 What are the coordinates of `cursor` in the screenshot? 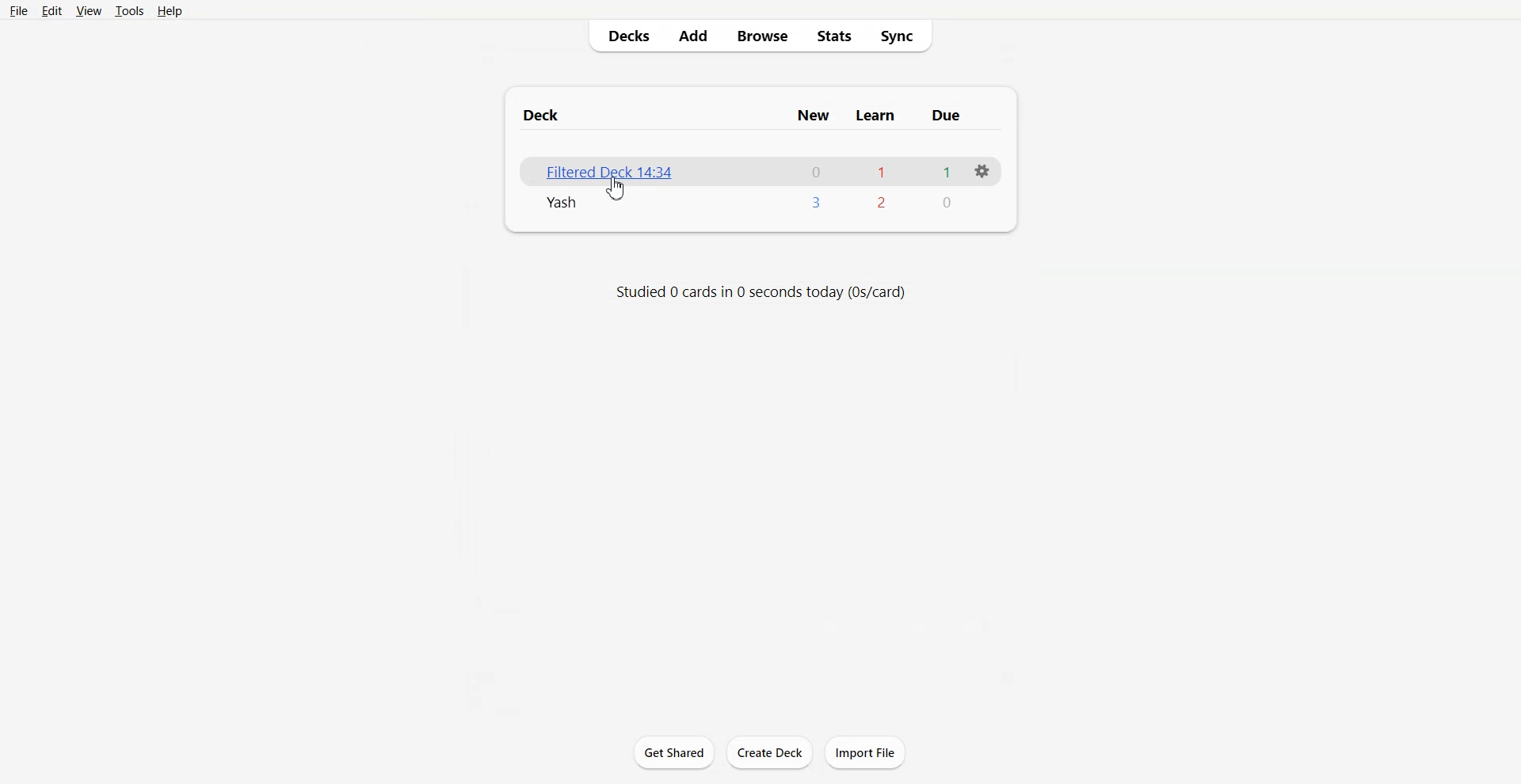 It's located at (616, 189).